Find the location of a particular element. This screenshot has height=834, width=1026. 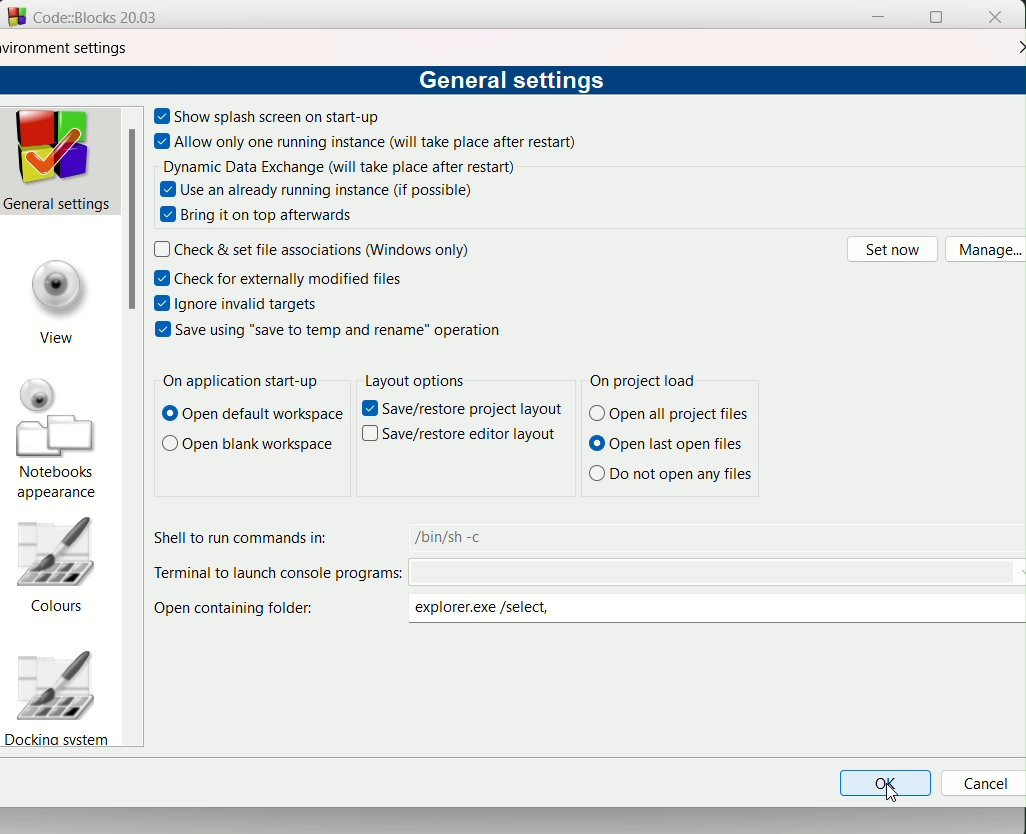

text is located at coordinates (247, 446).